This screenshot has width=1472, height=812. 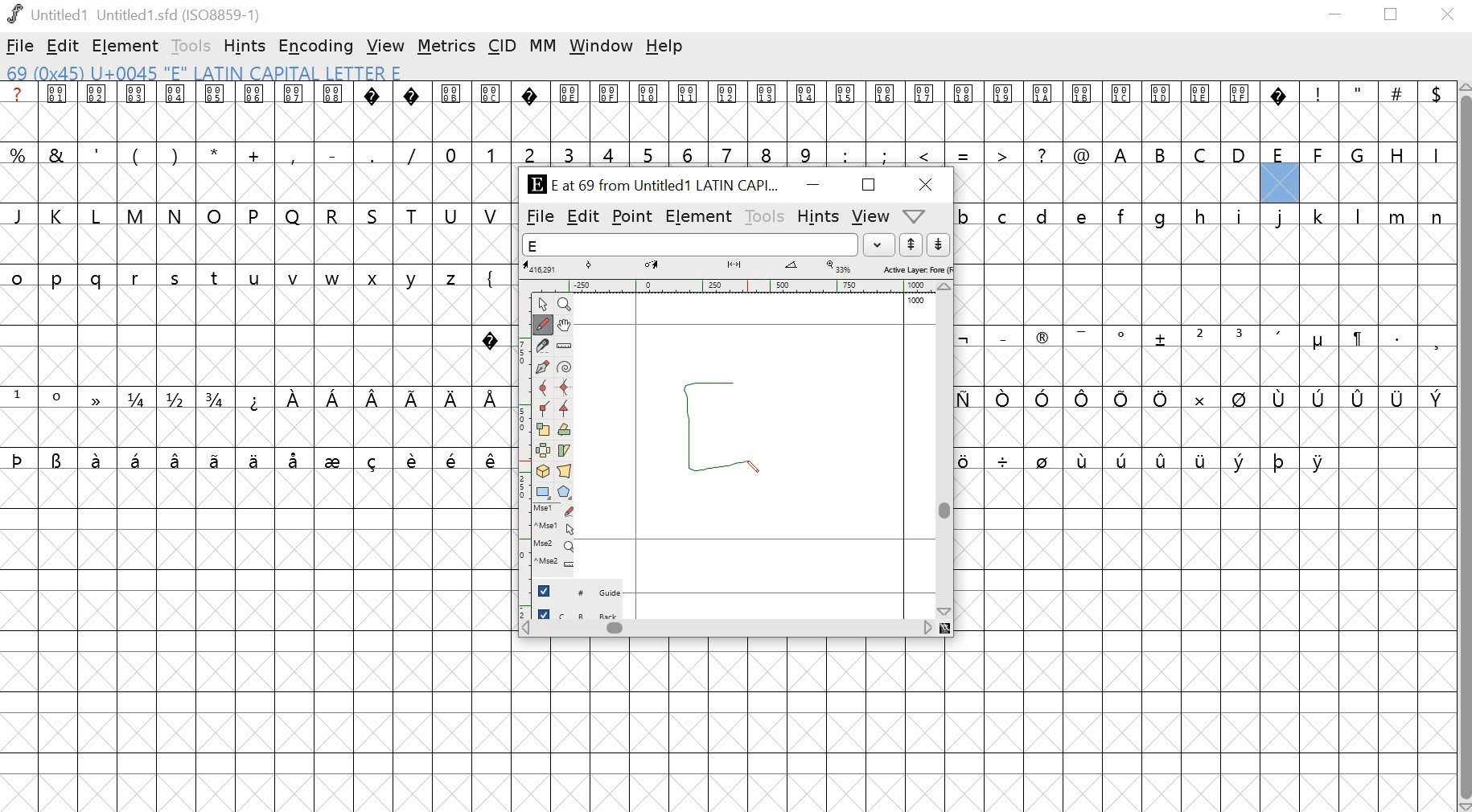 What do you see at coordinates (651, 186) in the screenshot?
I see `E at 69 from Untitled1 LATIN CAPI...` at bounding box center [651, 186].